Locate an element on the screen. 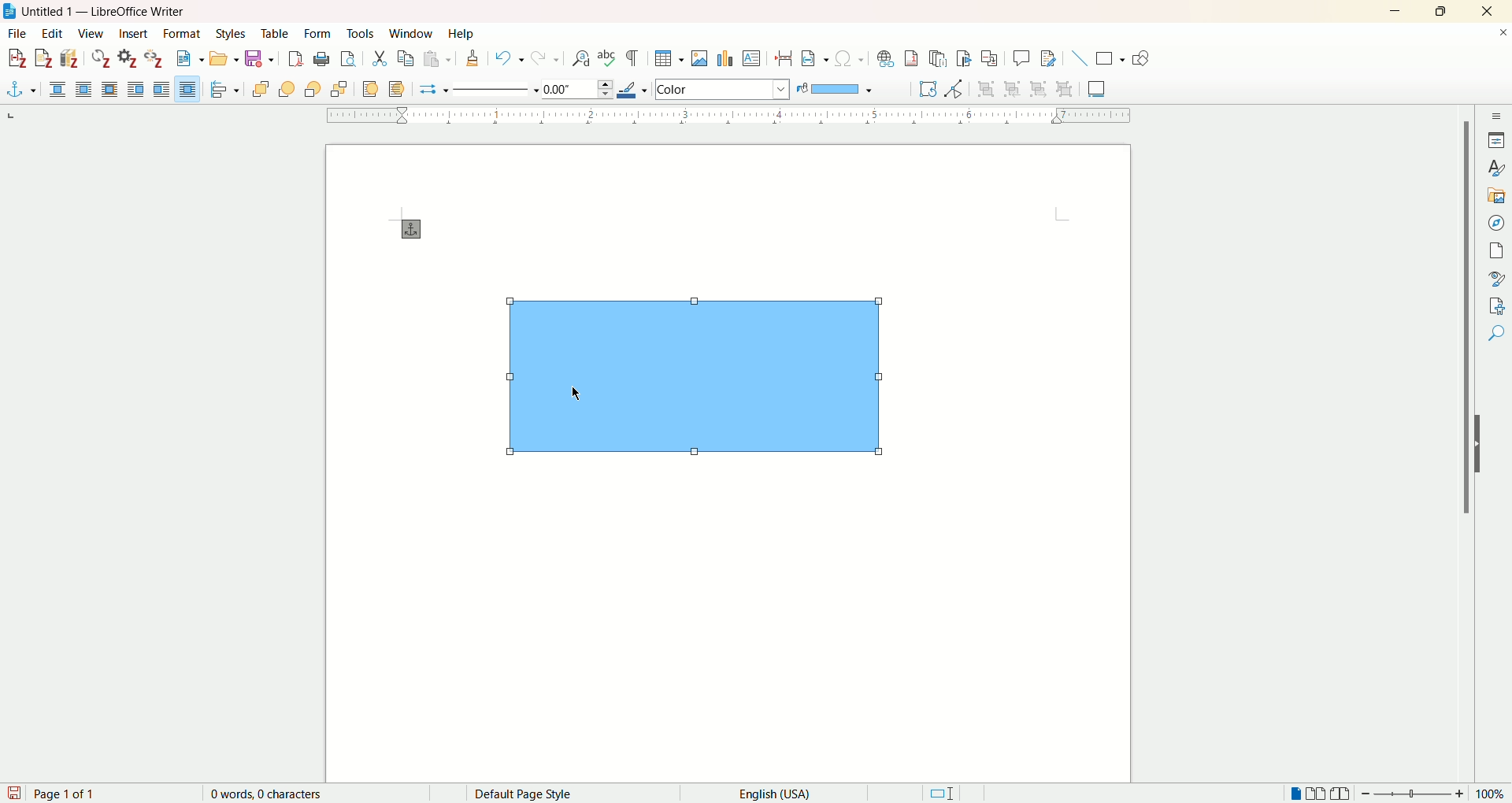 Image resolution: width=1512 pixels, height=803 pixels. exit group is located at coordinates (1037, 91).